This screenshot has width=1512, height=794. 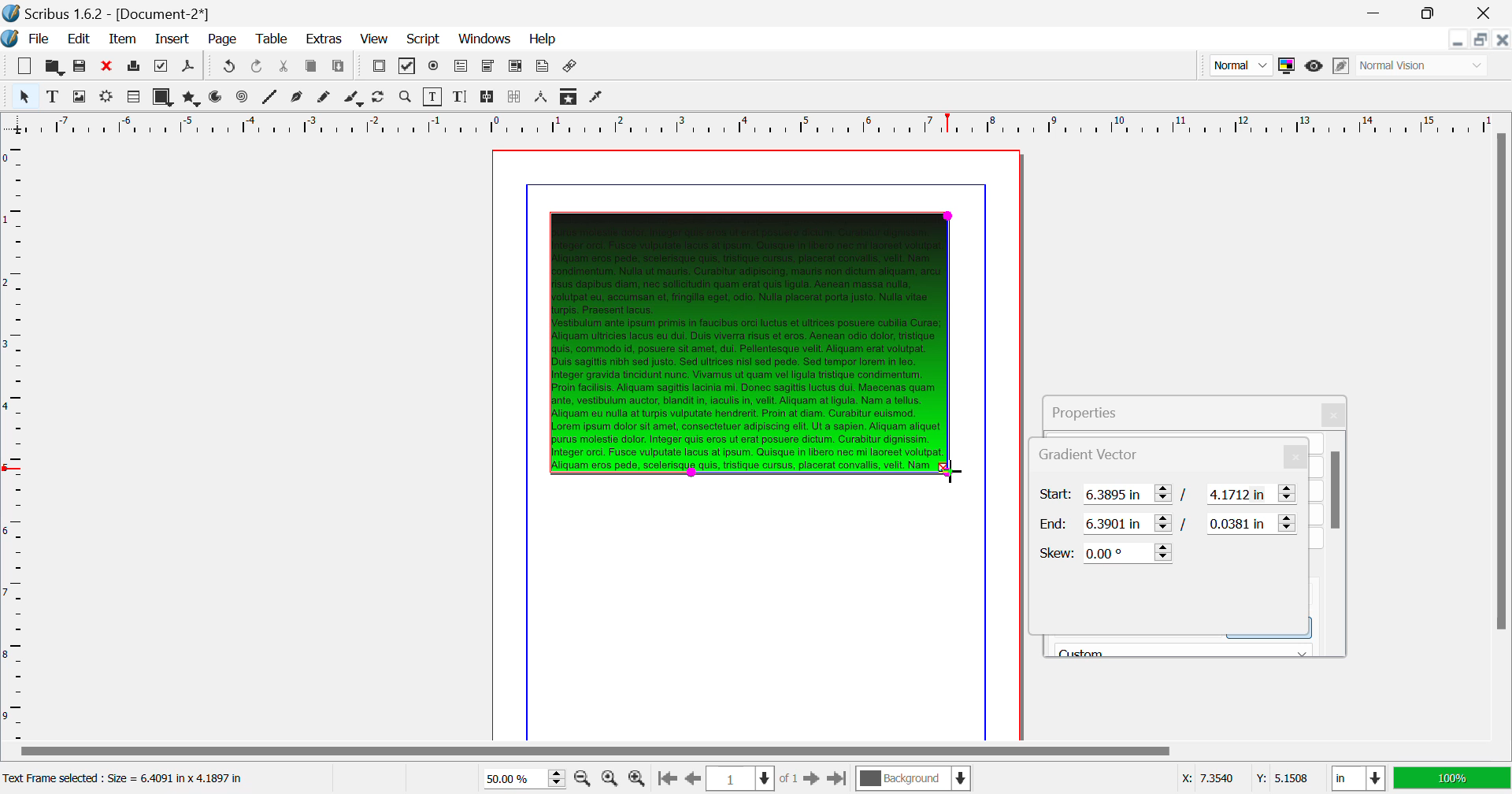 I want to click on Horizontal Page Margins, so click(x=15, y=439).